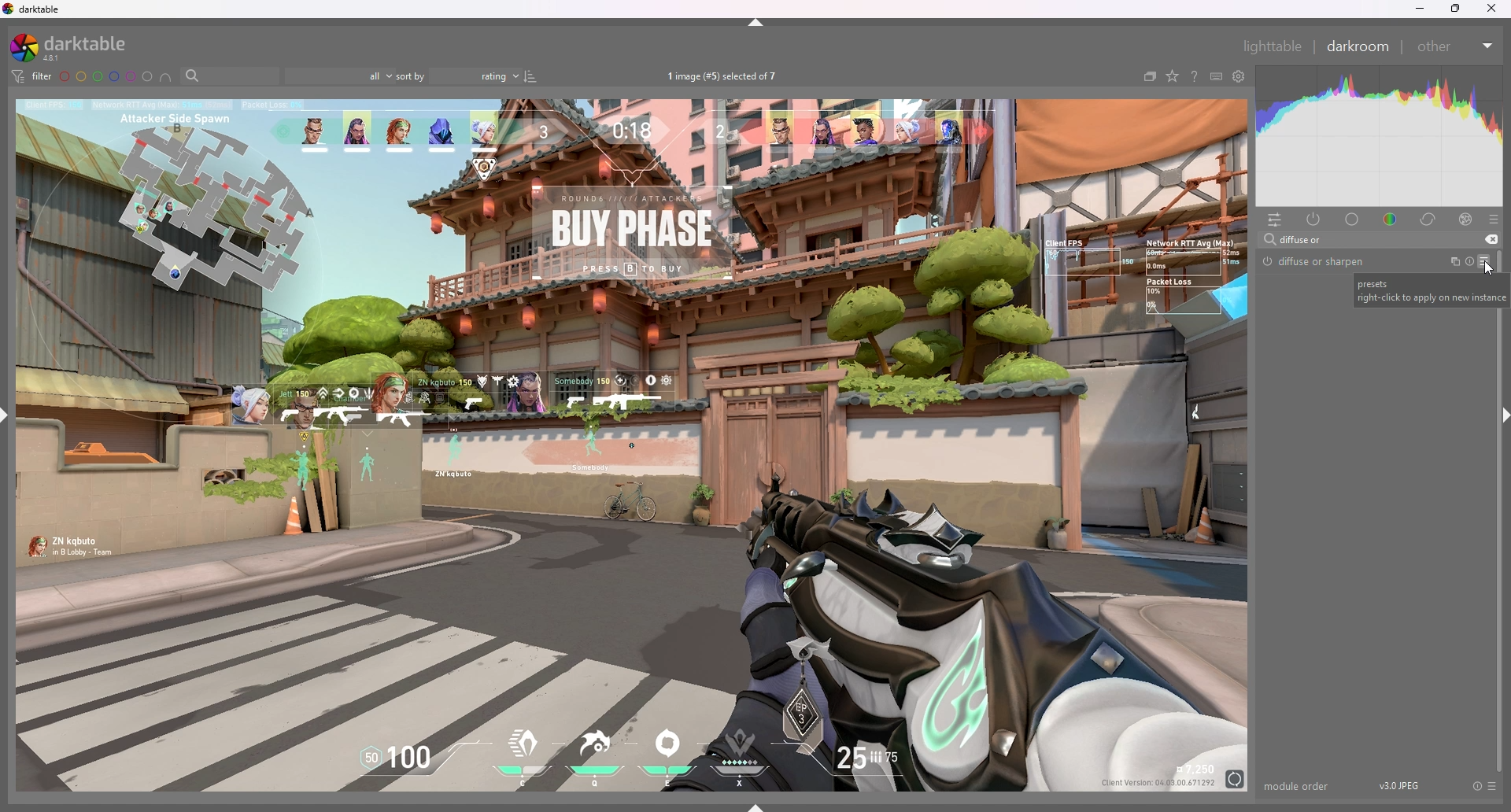 The image size is (1511, 812). I want to click on version, so click(1403, 785).